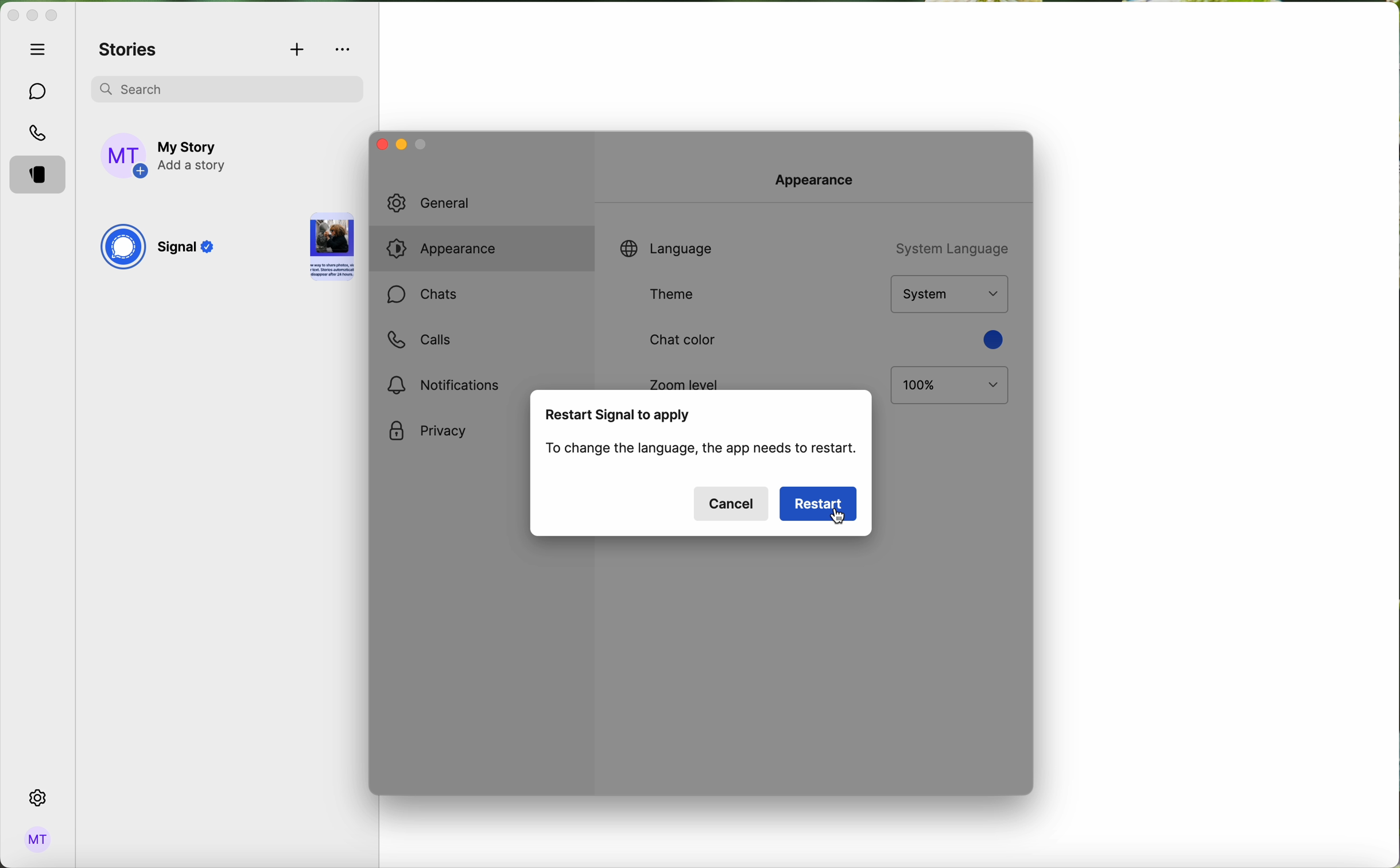 Image resolution: width=1400 pixels, height=868 pixels. I want to click on chats, so click(422, 296).